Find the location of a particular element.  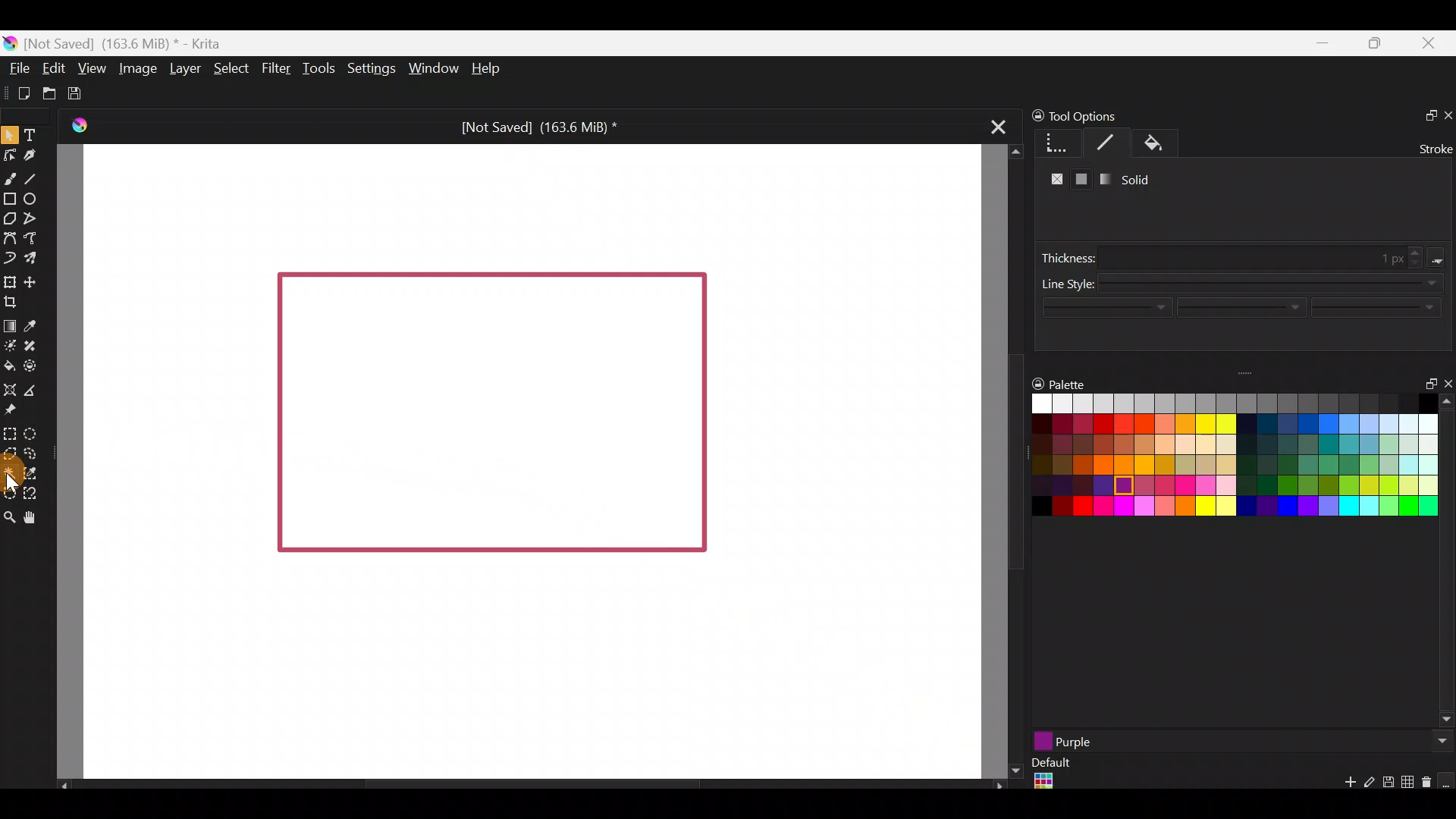

Pan tool is located at coordinates (35, 516).